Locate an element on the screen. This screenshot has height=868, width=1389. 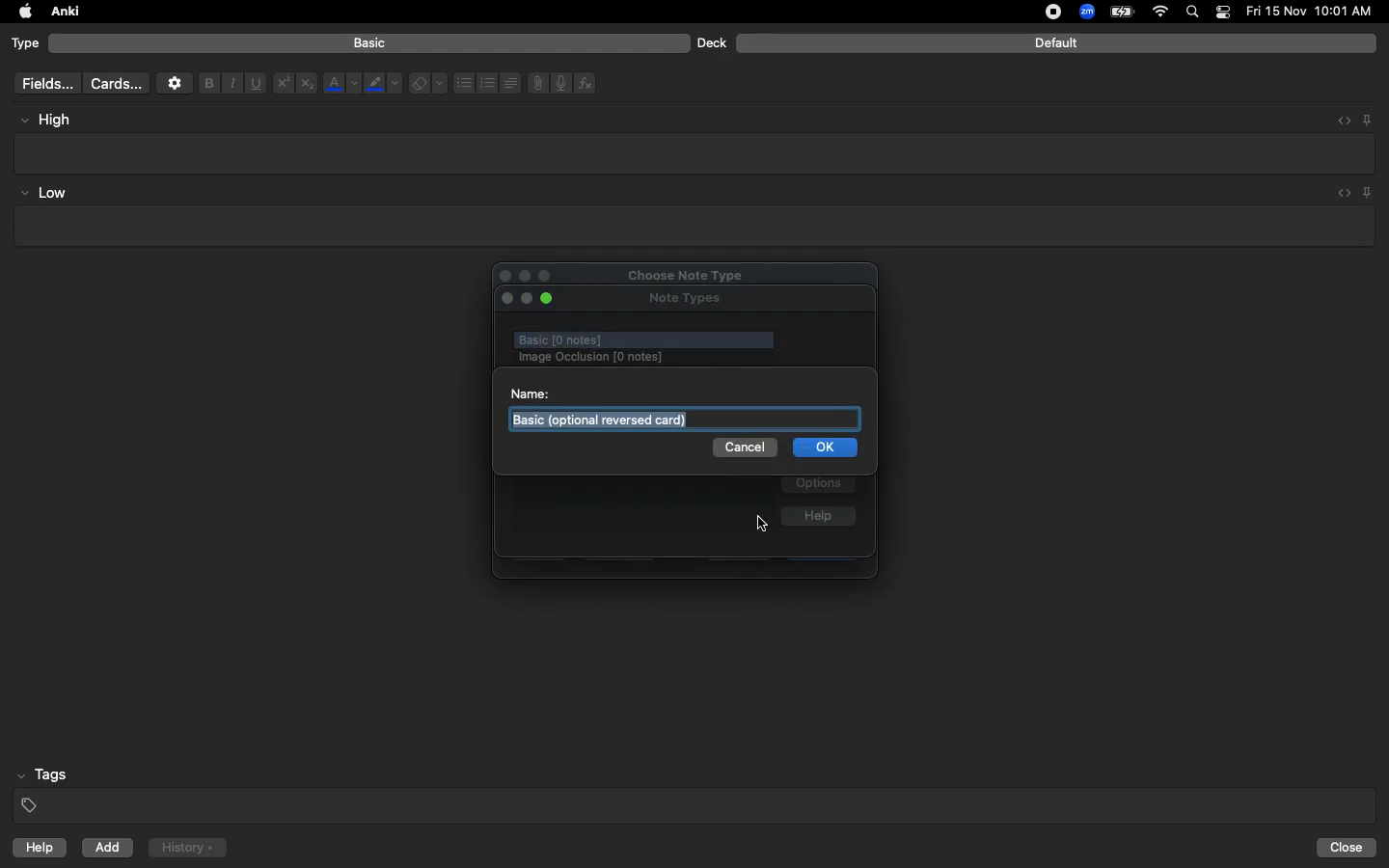
Name is located at coordinates (529, 393).